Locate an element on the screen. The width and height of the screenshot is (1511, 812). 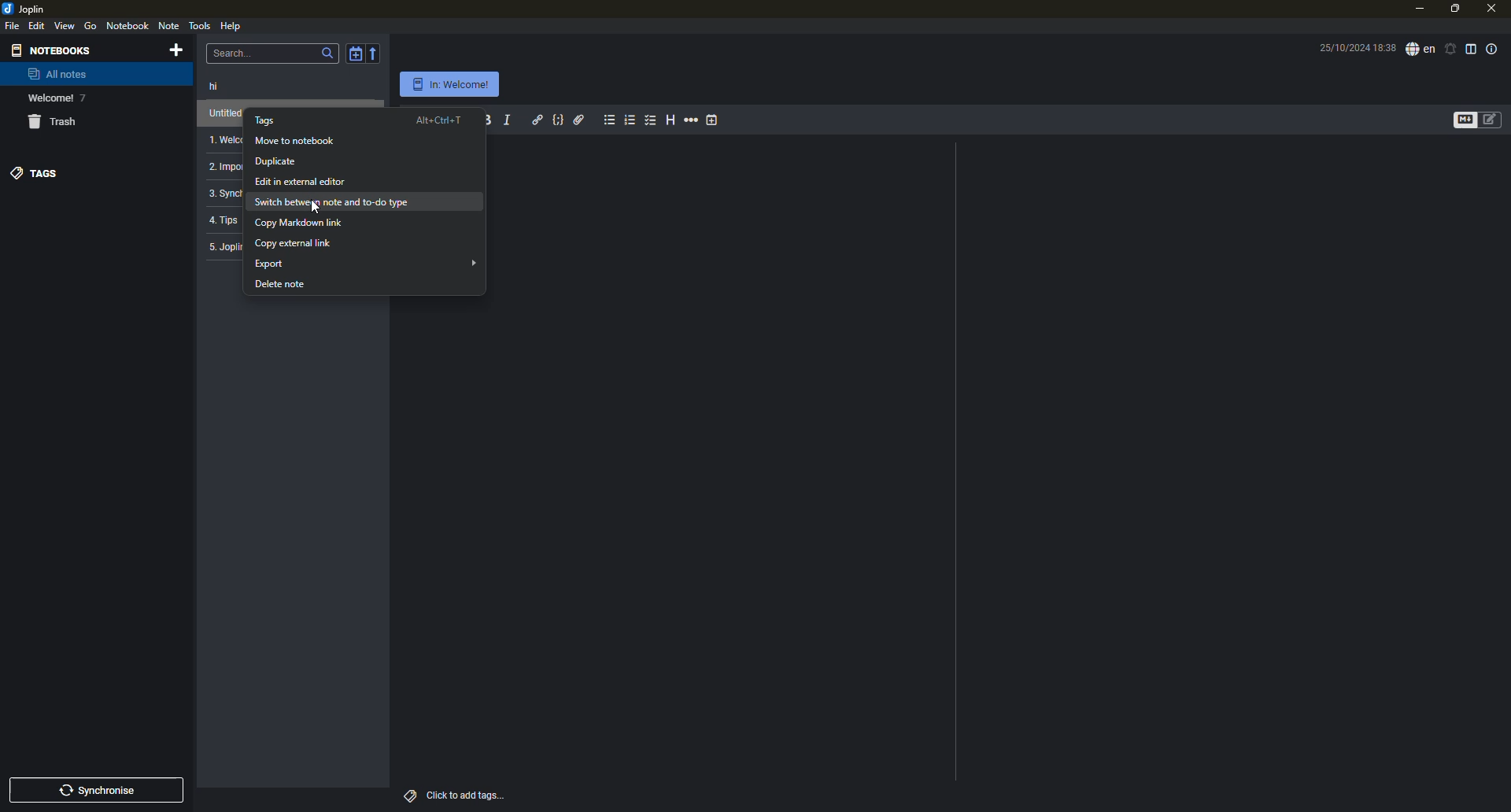
close is located at coordinates (1494, 9).